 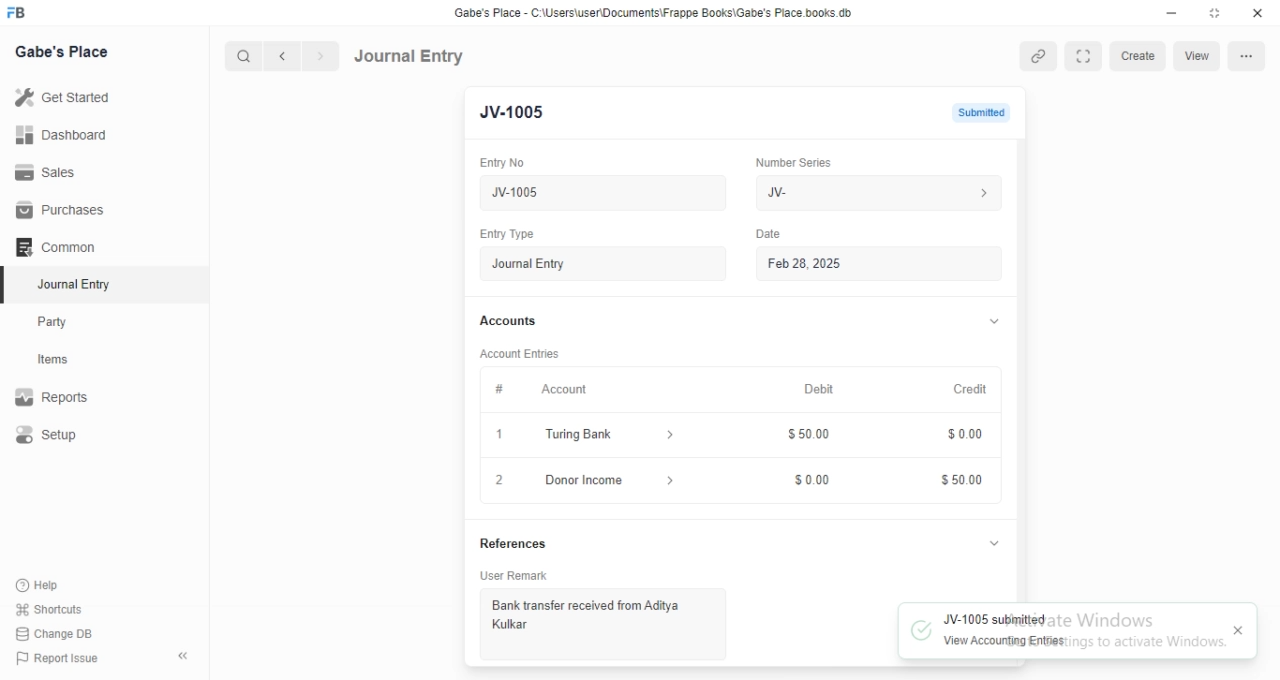 I want to click on $50.00, so click(x=816, y=432).